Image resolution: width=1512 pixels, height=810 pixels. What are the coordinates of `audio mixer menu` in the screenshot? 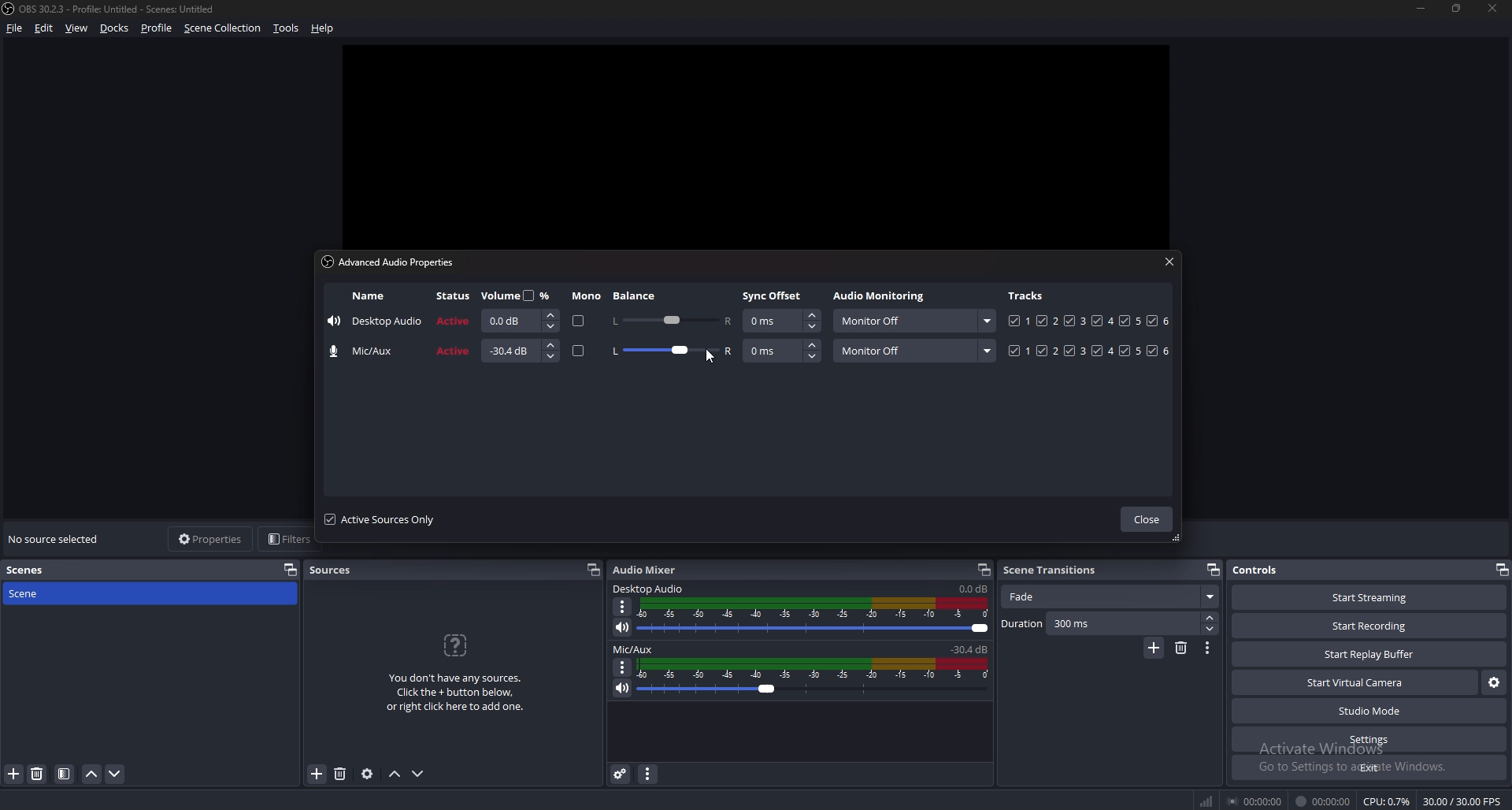 It's located at (647, 775).